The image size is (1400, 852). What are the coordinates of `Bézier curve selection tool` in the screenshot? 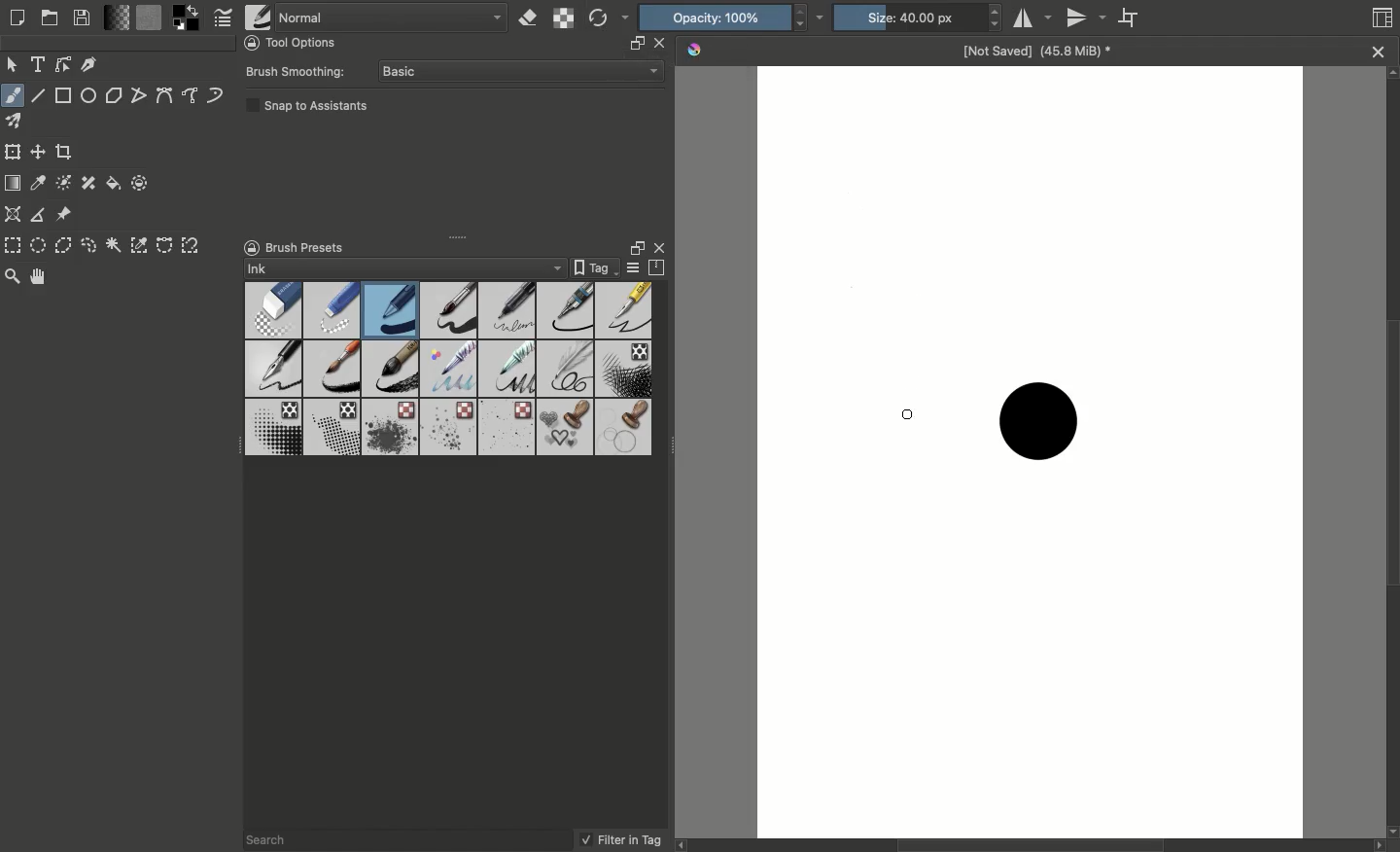 It's located at (164, 248).